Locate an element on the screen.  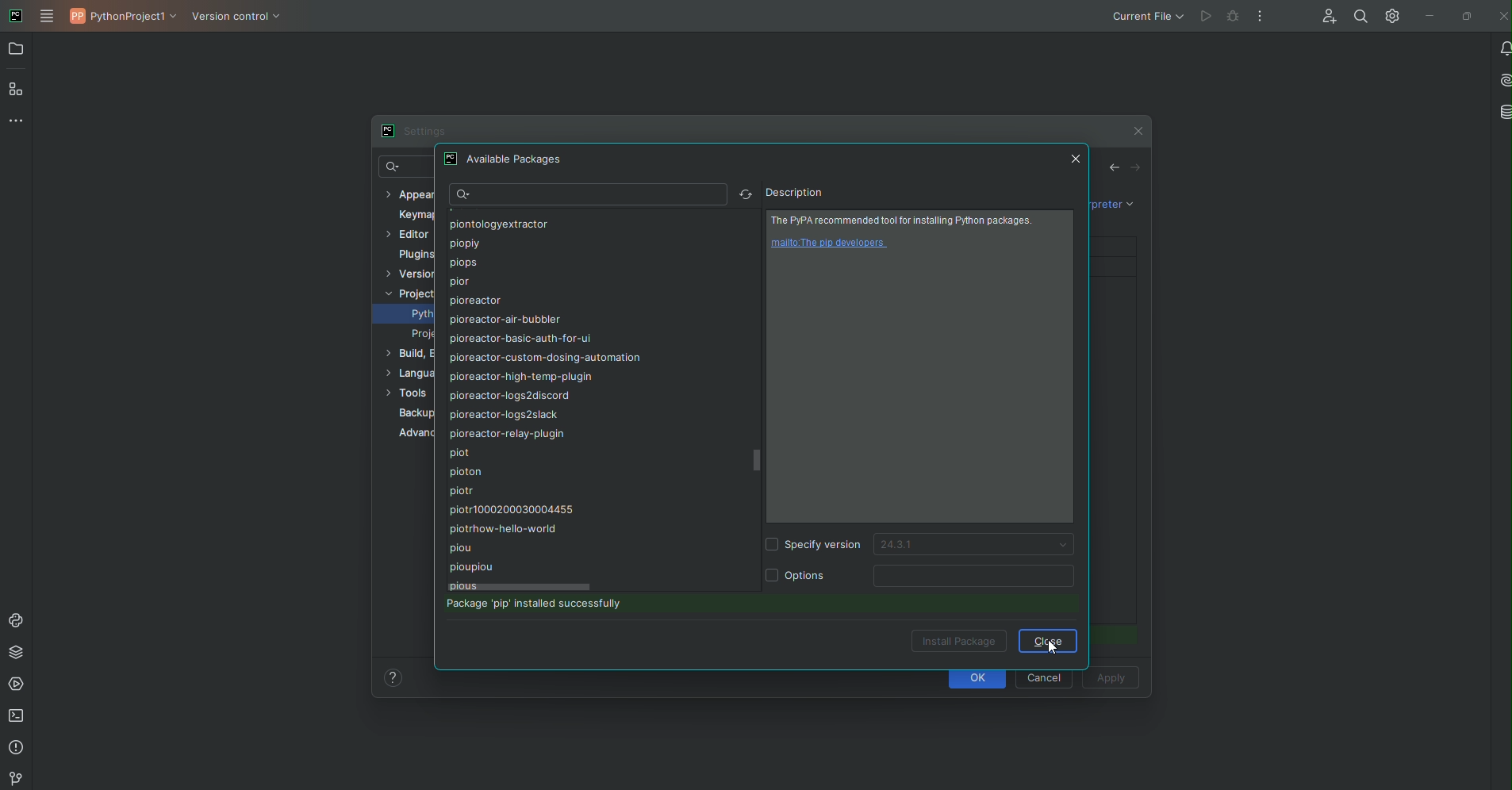
pioreactor is located at coordinates (474, 301).